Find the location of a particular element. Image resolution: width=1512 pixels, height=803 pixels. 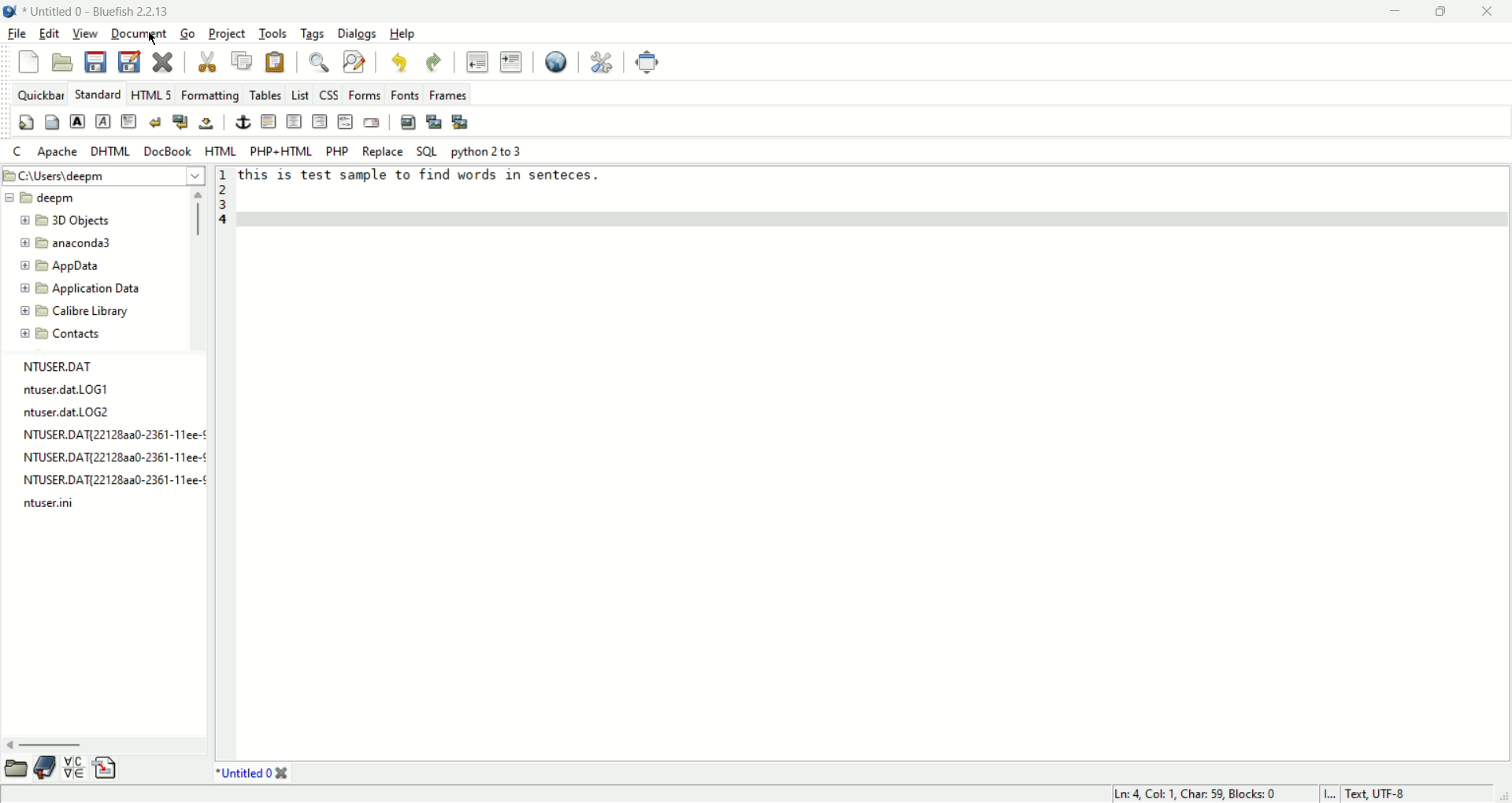

copy is located at coordinates (243, 60).